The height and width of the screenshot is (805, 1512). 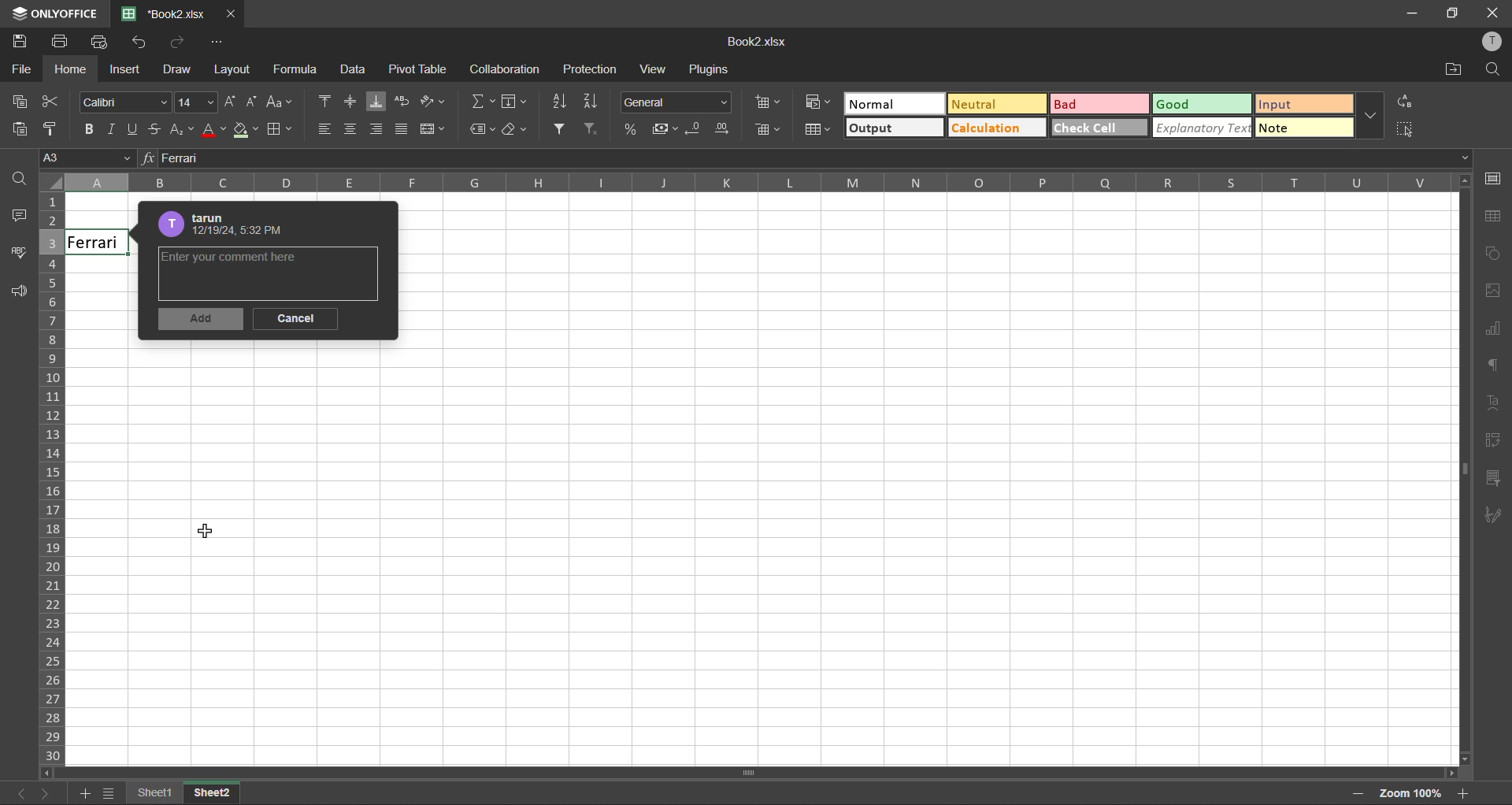 What do you see at coordinates (298, 72) in the screenshot?
I see `formula` at bounding box center [298, 72].